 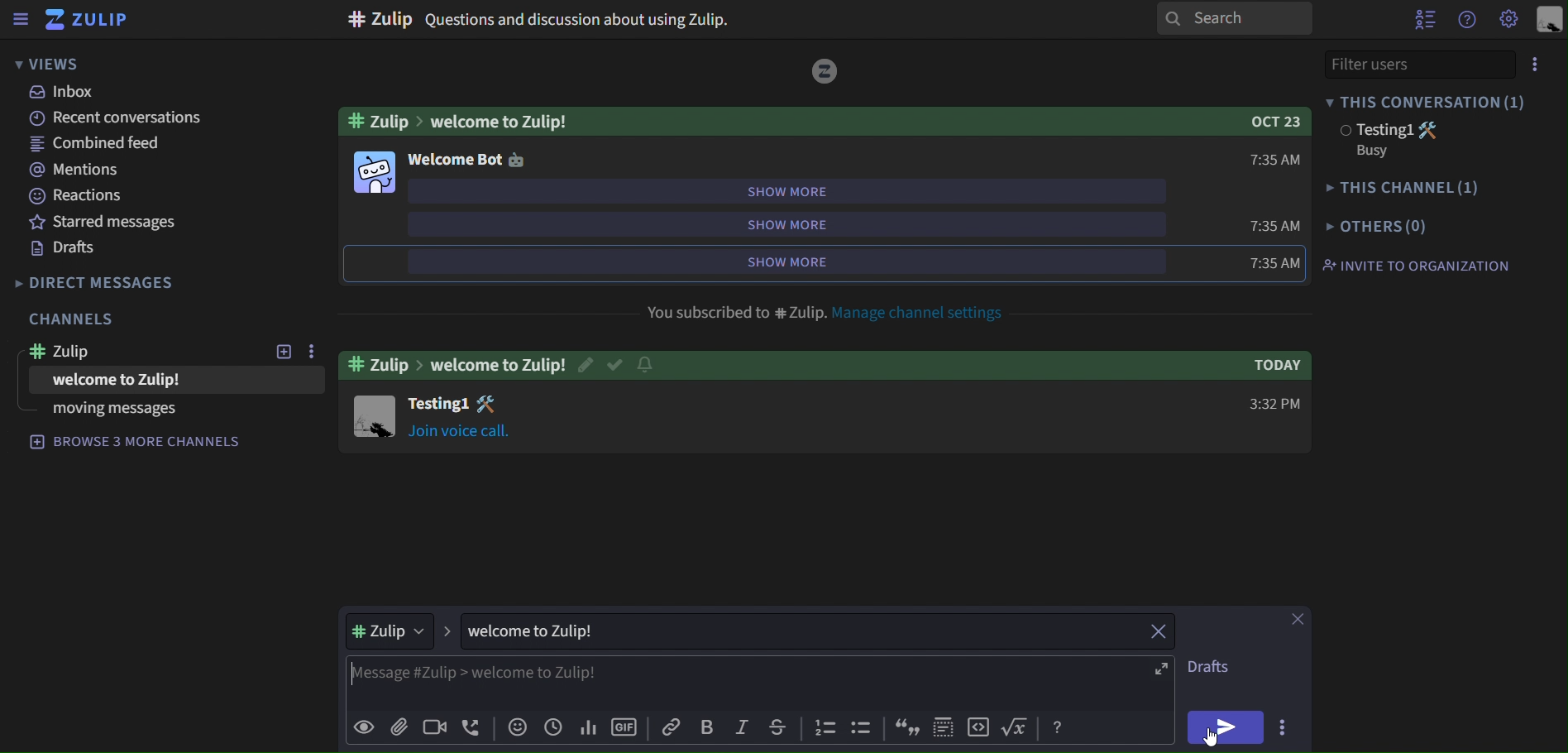 I want to click on #Zulip Questions and discussion about using Zulip., so click(x=543, y=21).